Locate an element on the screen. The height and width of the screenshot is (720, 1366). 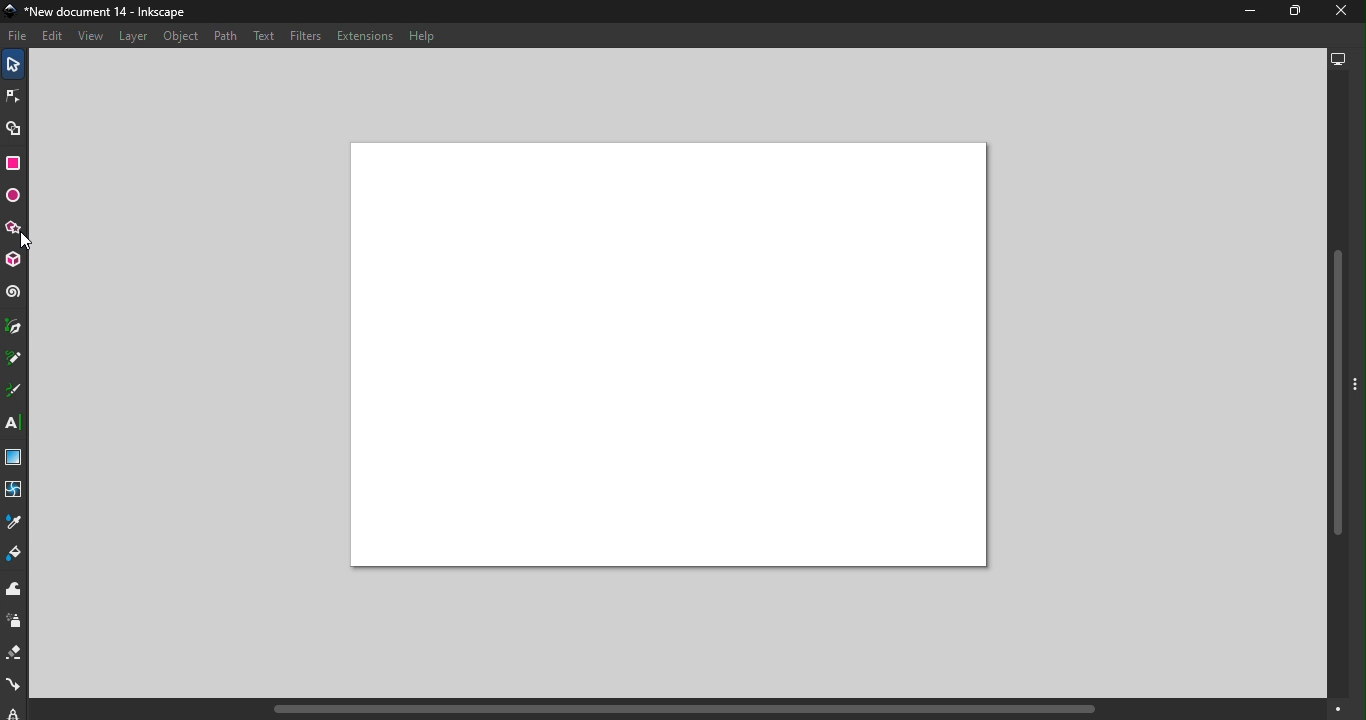
Connector tool is located at coordinates (15, 687).